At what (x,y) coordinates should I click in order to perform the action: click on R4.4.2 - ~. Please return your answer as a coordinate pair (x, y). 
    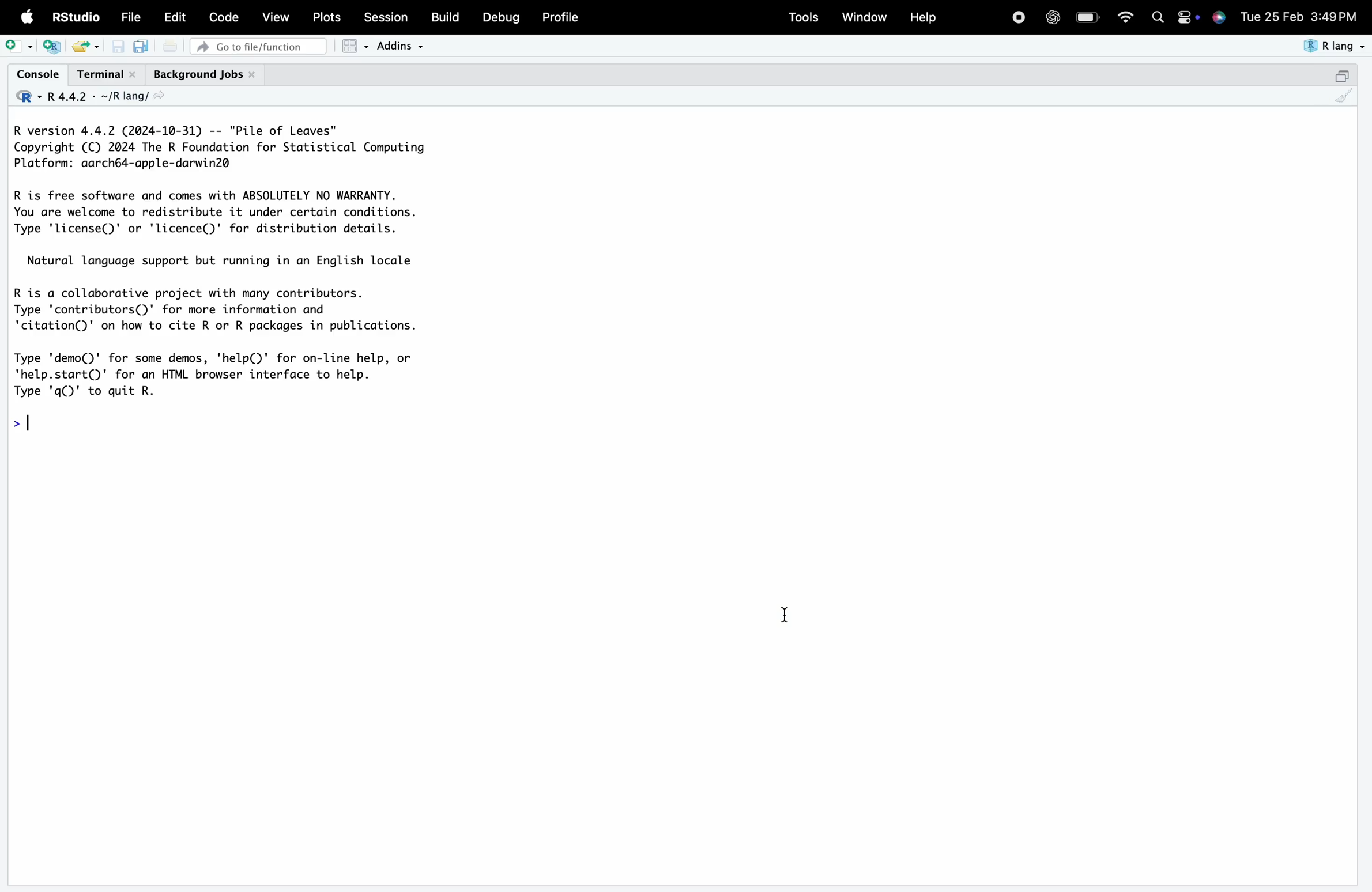
    Looking at the image, I should click on (77, 97).